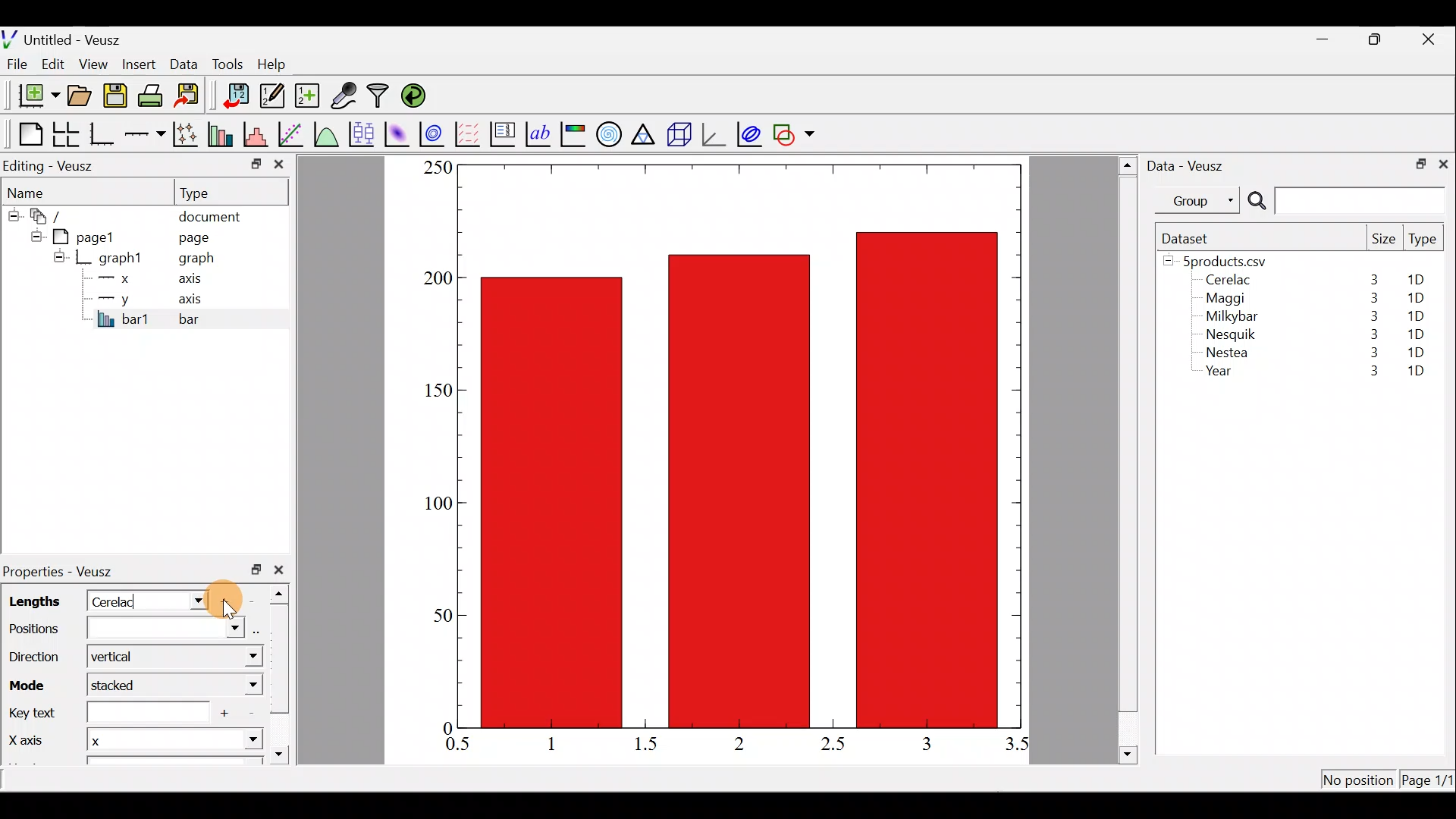 The height and width of the screenshot is (819, 1456). Describe the element at coordinates (363, 133) in the screenshot. I see `Plot box plots` at that location.